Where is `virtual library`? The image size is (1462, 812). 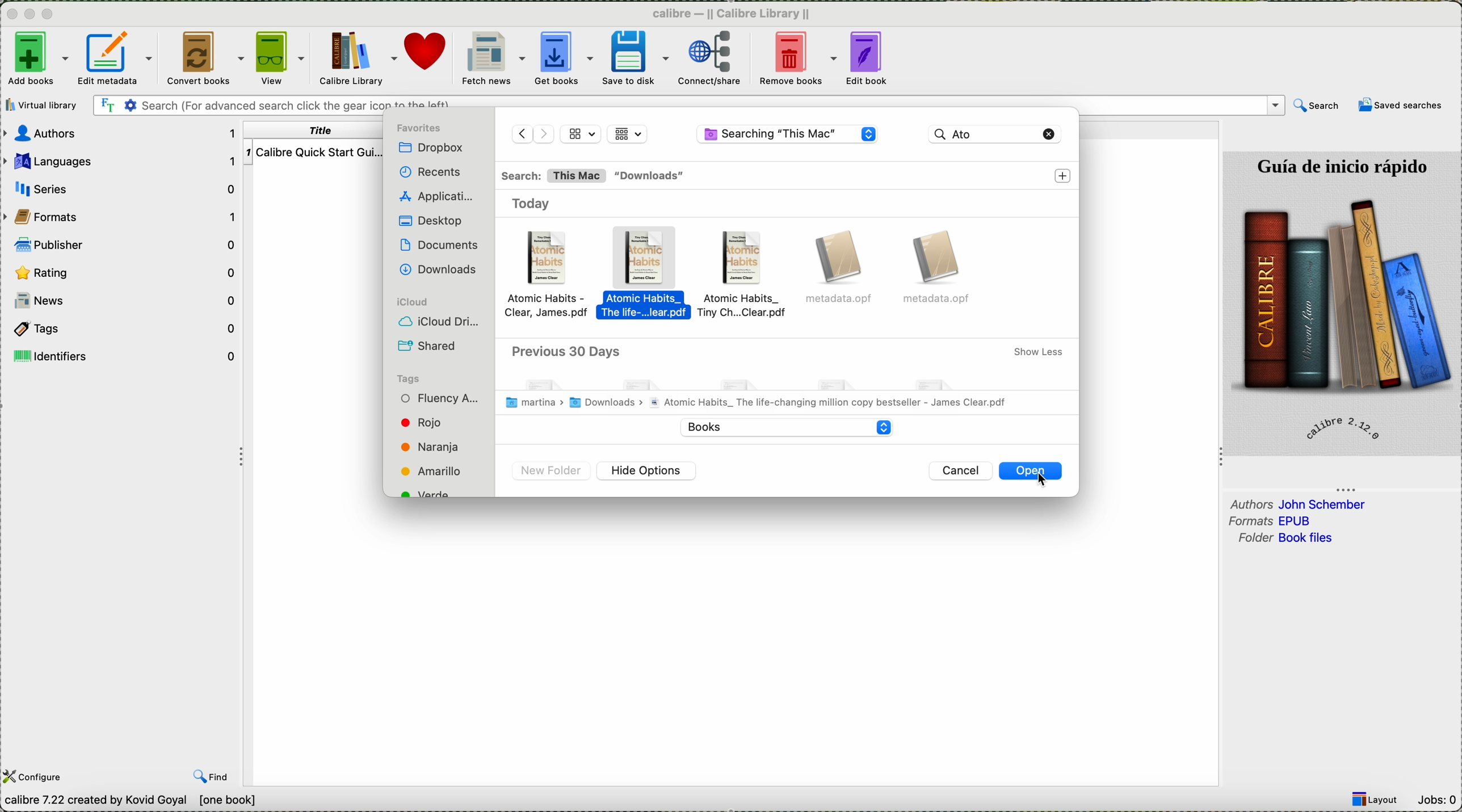
virtual library is located at coordinates (42, 106).